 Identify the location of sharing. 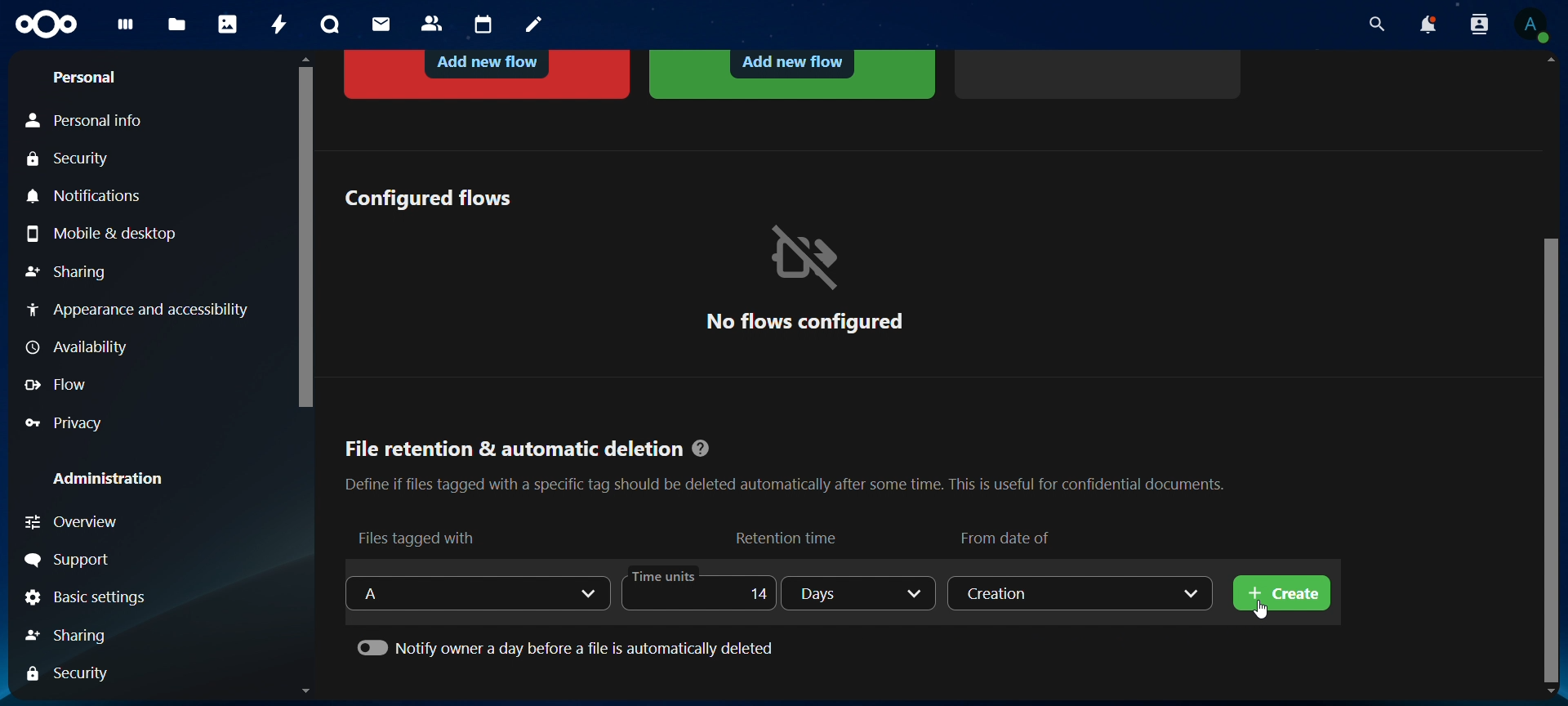
(84, 633).